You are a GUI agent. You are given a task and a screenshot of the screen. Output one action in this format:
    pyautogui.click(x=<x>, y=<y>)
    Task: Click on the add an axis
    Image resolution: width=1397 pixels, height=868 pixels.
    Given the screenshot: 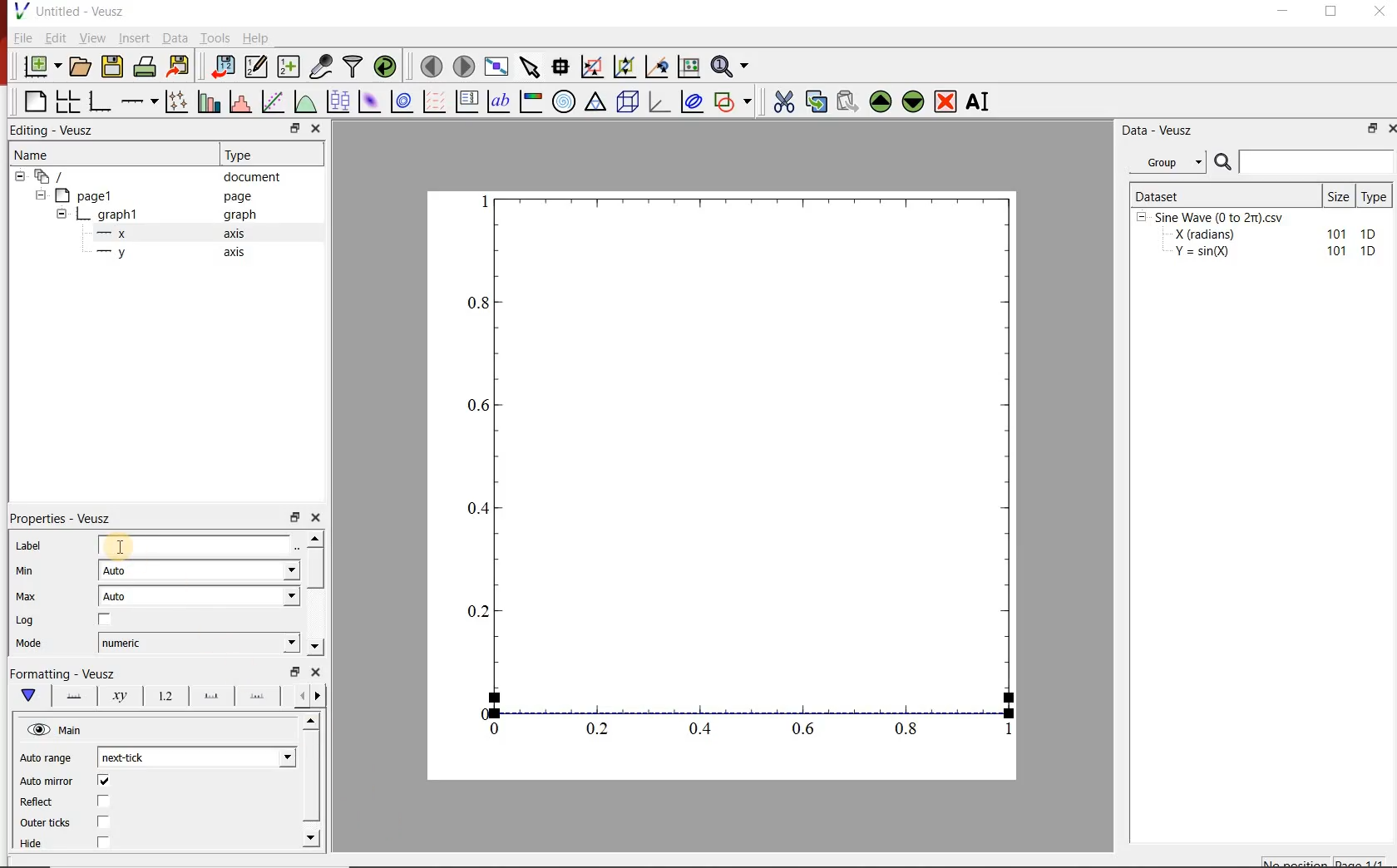 What is the action you would take?
    pyautogui.click(x=139, y=101)
    